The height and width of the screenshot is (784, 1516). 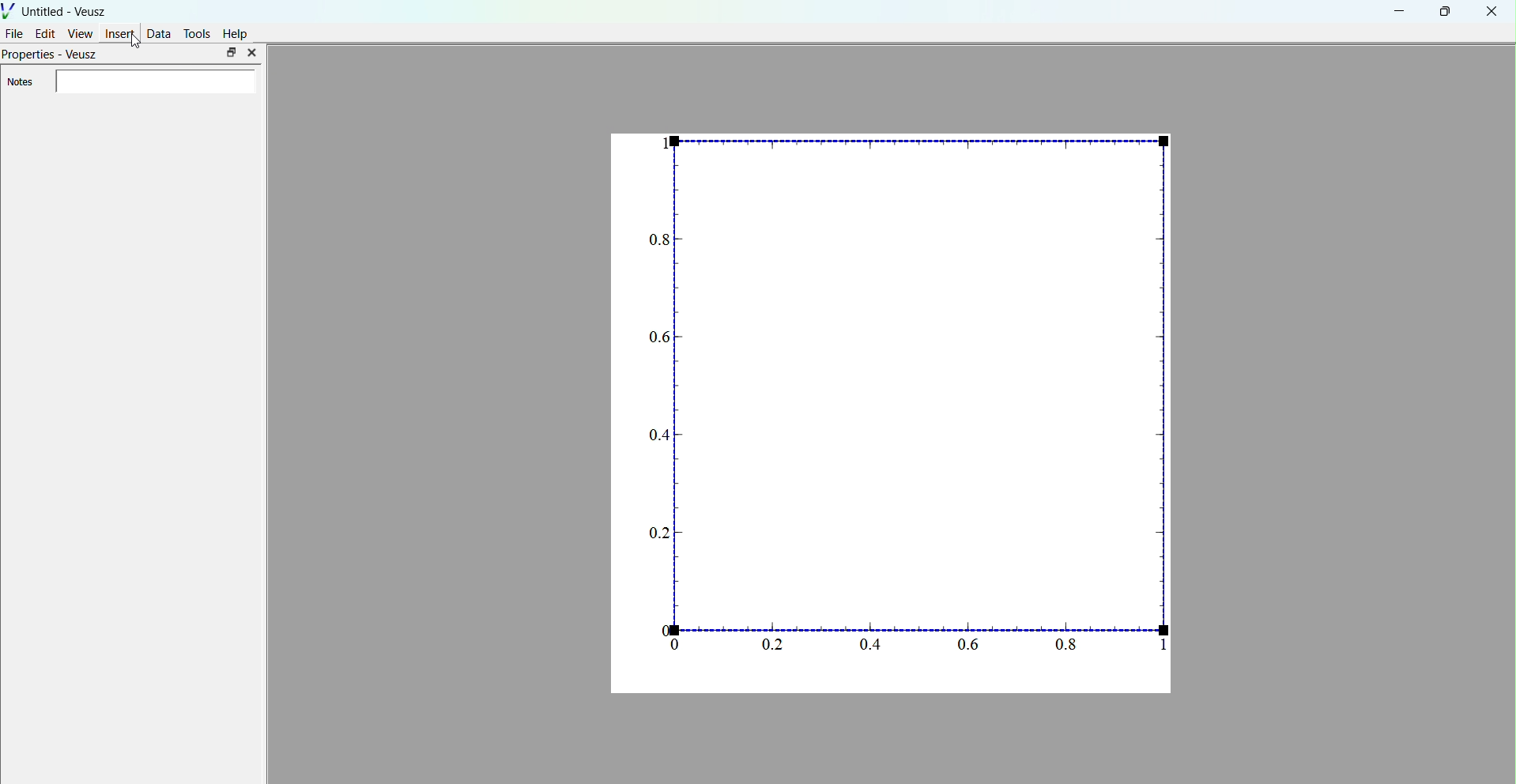 What do you see at coordinates (198, 33) in the screenshot?
I see `Tools` at bounding box center [198, 33].